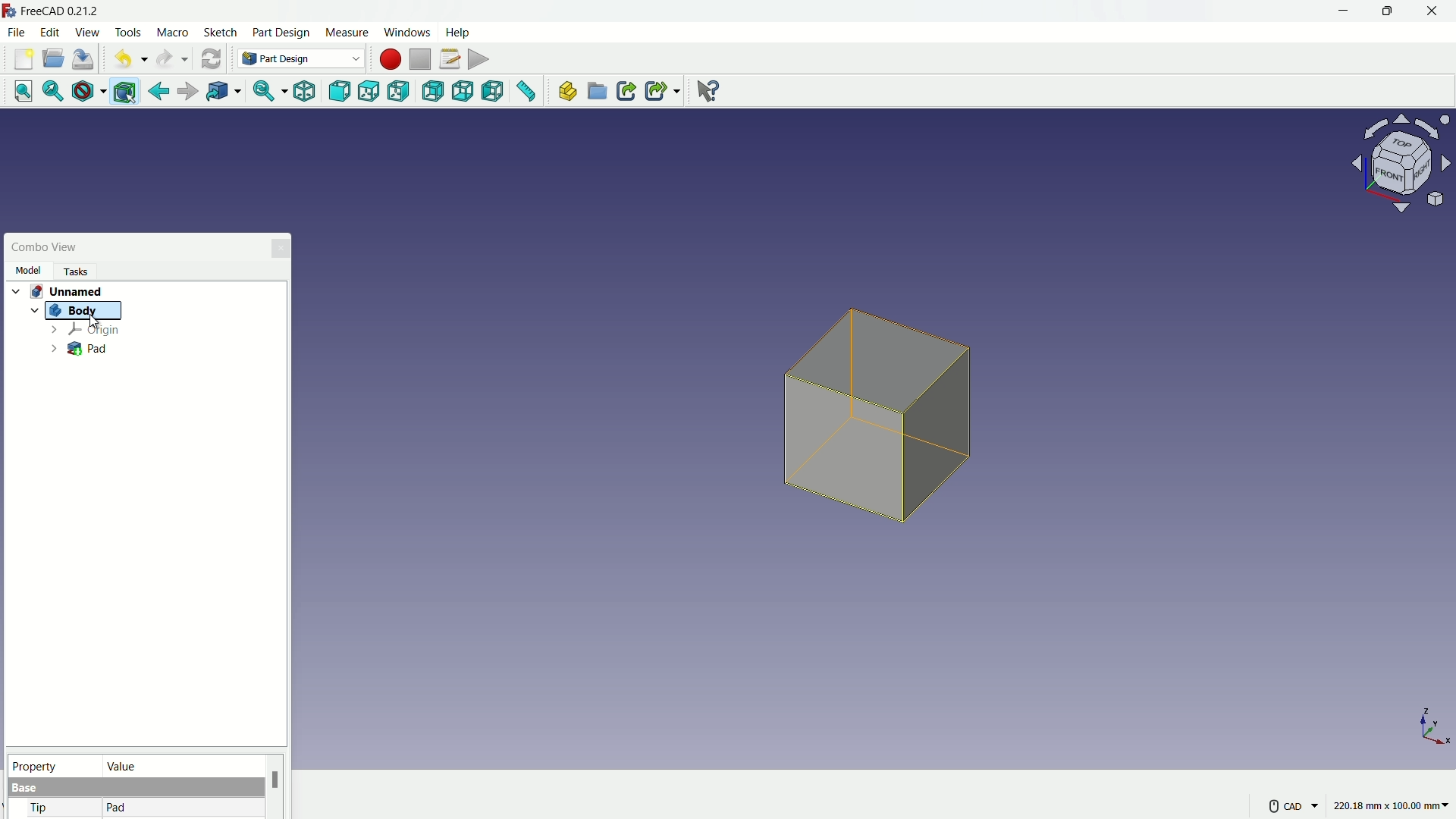 Image resolution: width=1456 pixels, height=819 pixels. Describe the element at coordinates (1391, 805) in the screenshot. I see `220.18 mm x 100.00 mm~` at that location.